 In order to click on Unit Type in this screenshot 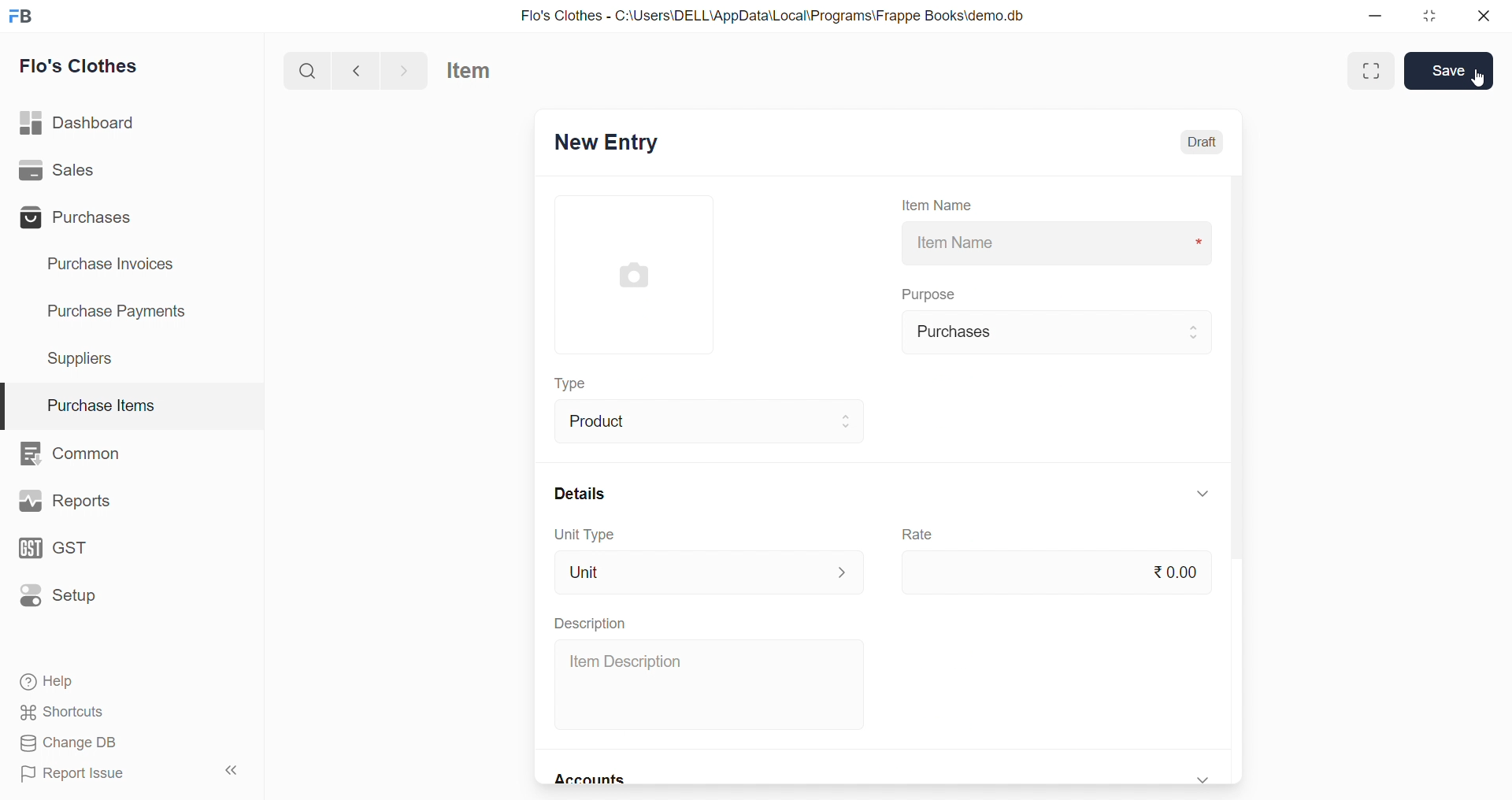, I will do `click(583, 535)`.